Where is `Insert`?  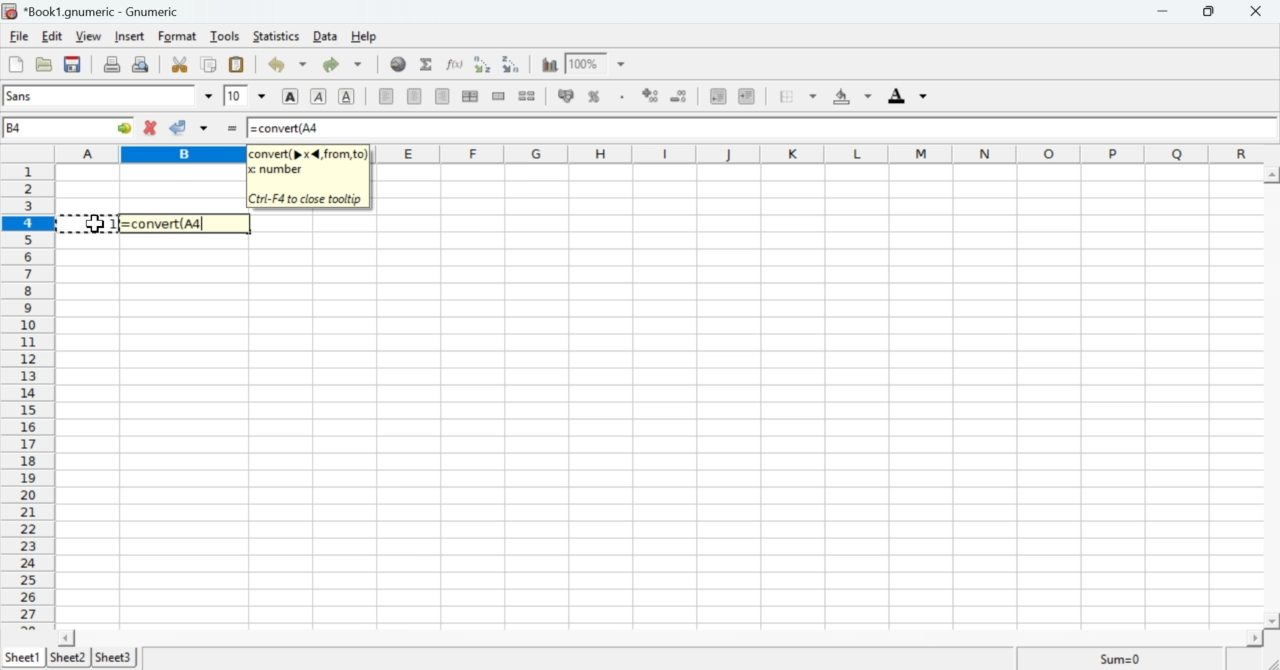 Insert is located at coordinates (130, 36).